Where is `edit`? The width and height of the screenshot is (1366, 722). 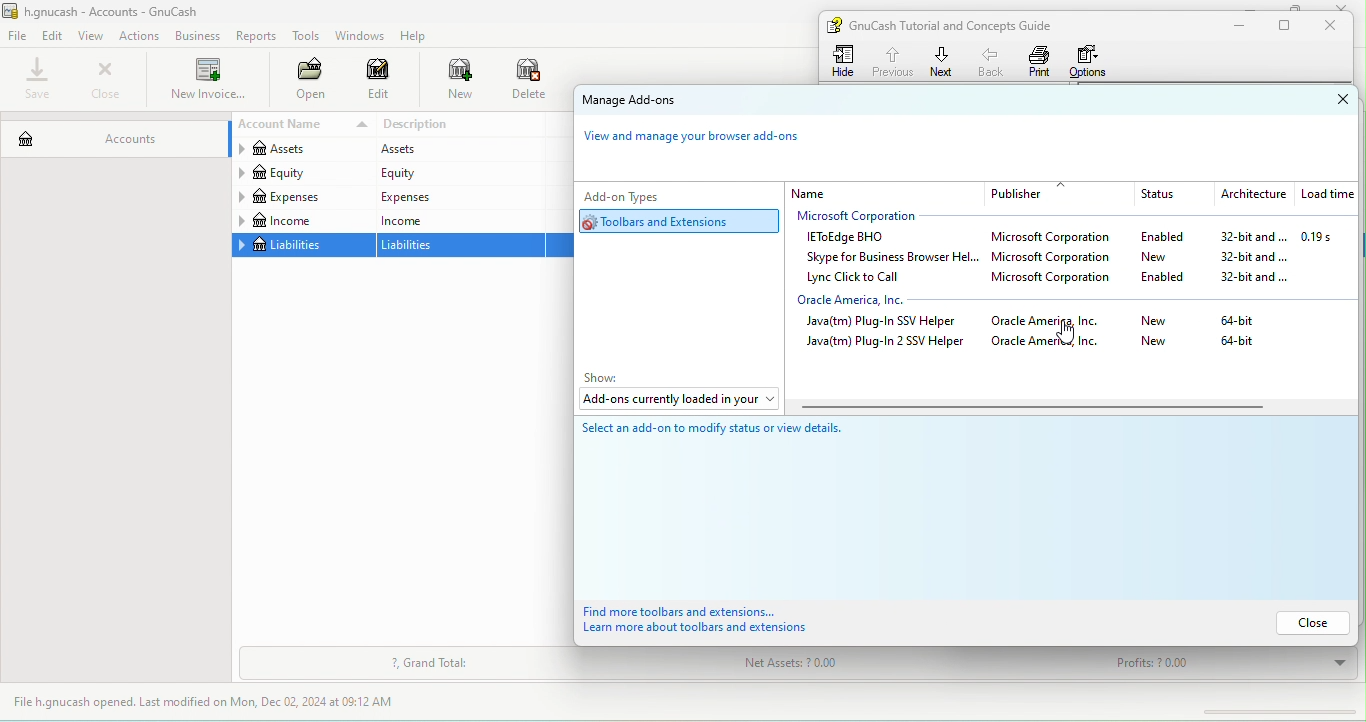
edit is located at coordinates (54, 35).